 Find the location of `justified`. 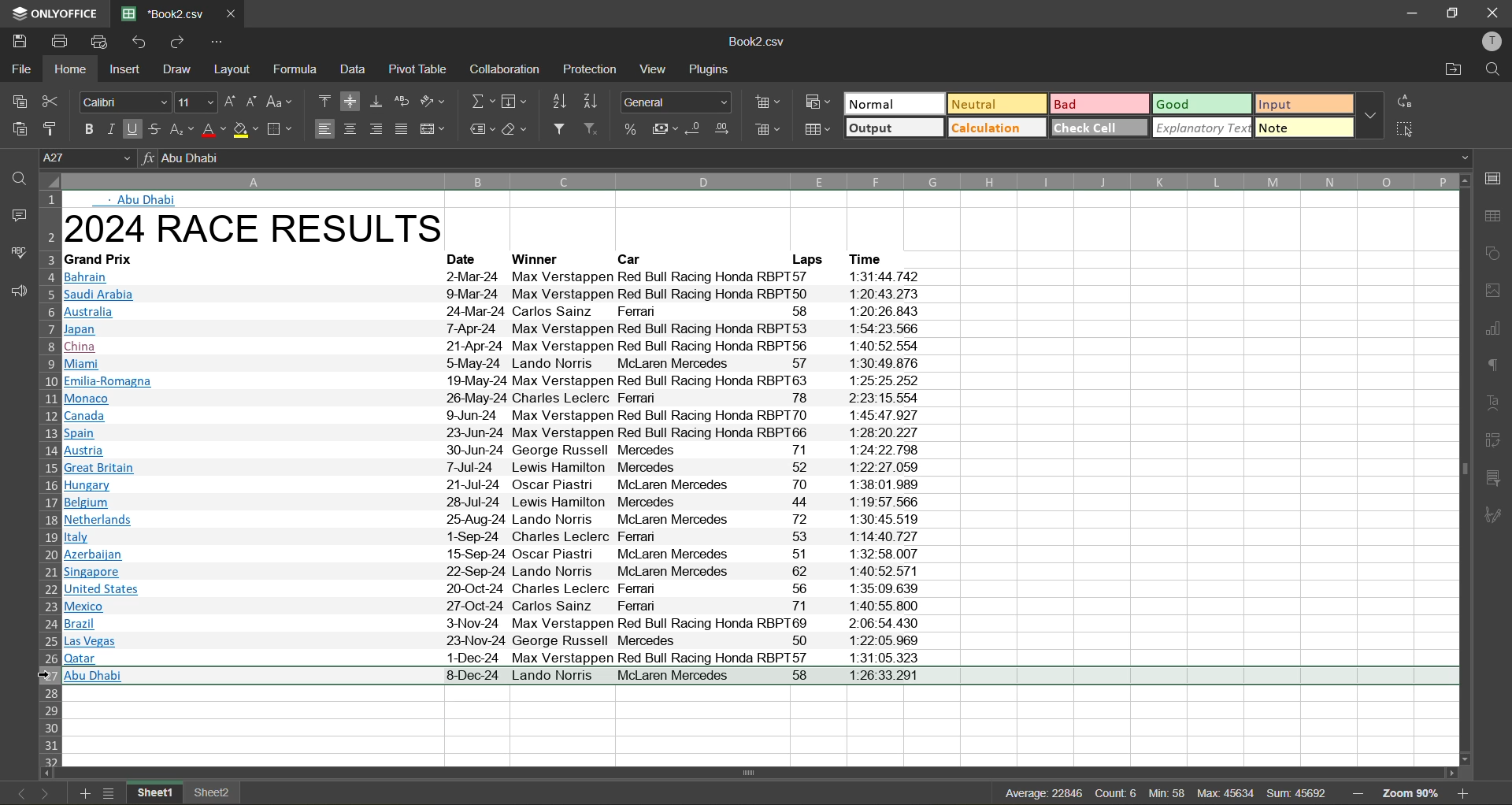

justified is located at coordinates (405, 131).